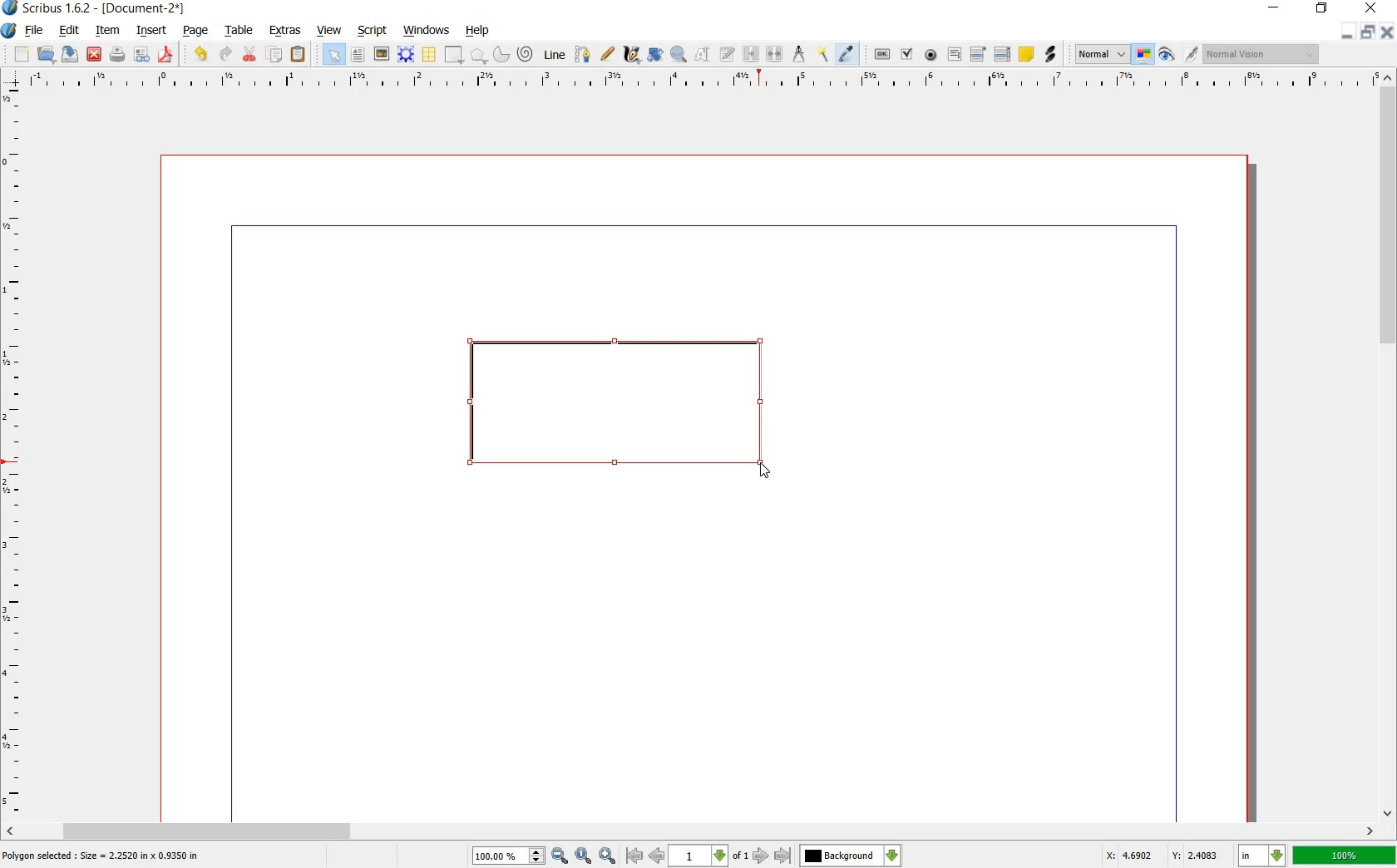 The width and height of the screenshot is (1397, 868). I want to click on Cursor, so click(765, 471).